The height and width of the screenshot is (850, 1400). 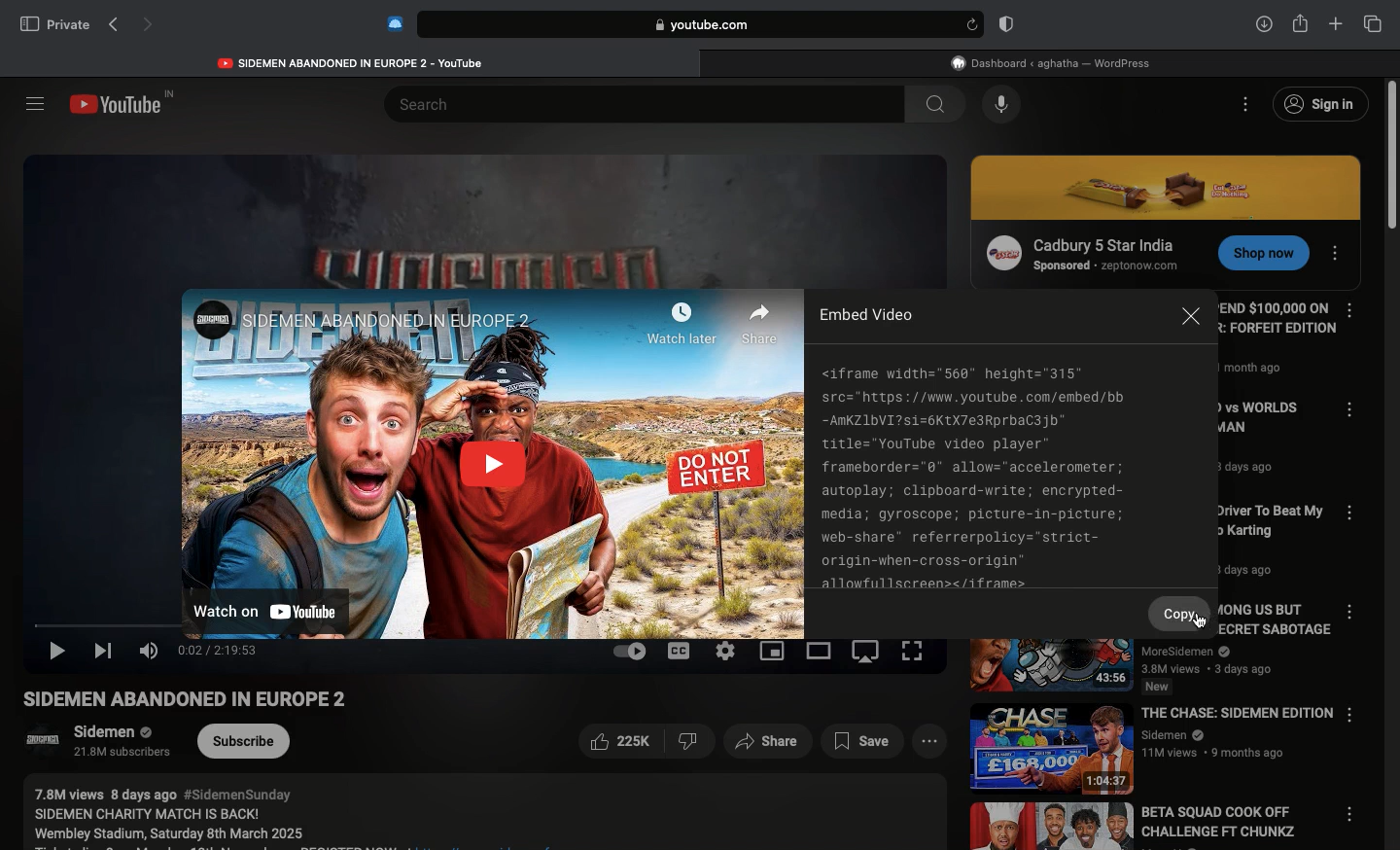 What do you see at coordinates (1391, 464) in the screenshot?
I see `Scroll` at bounding box center [1391, 464].